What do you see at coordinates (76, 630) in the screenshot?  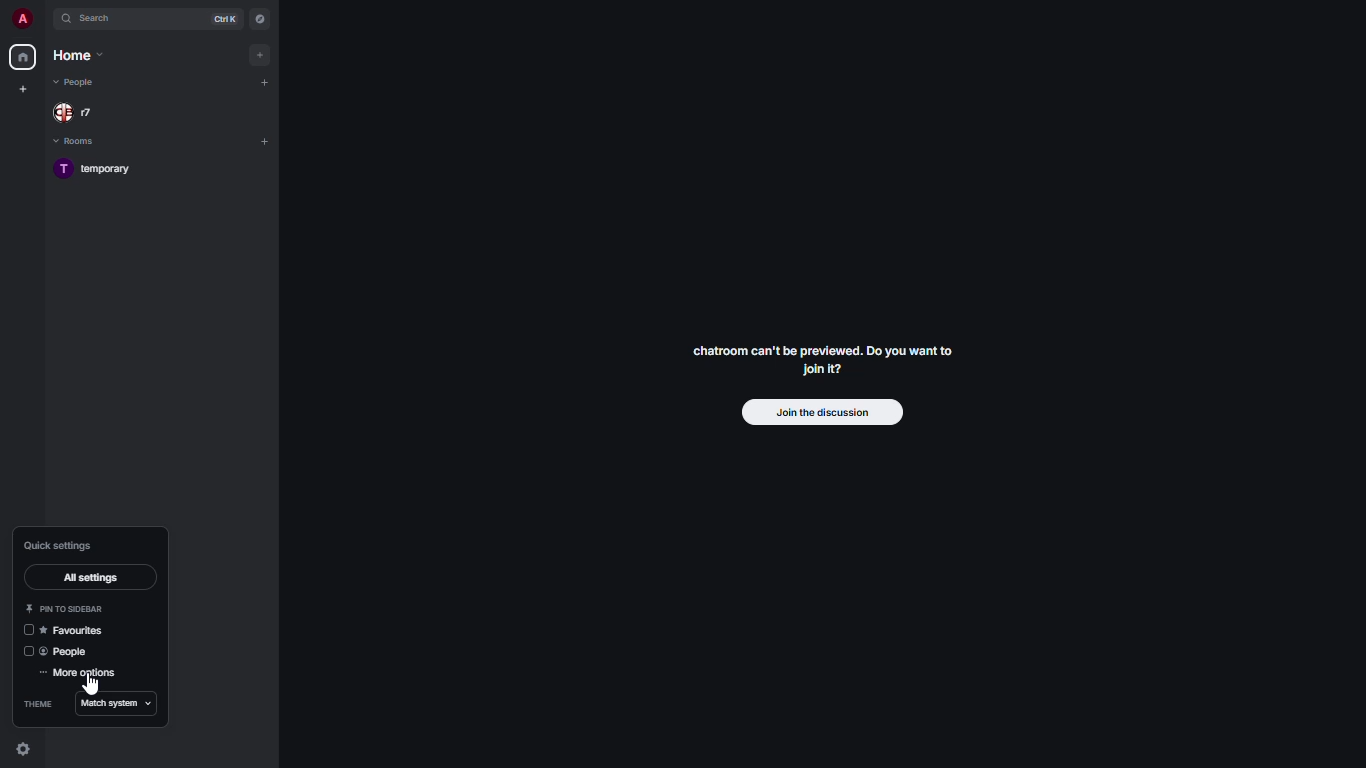 I see `favorites` at bounding box center [76, 630].